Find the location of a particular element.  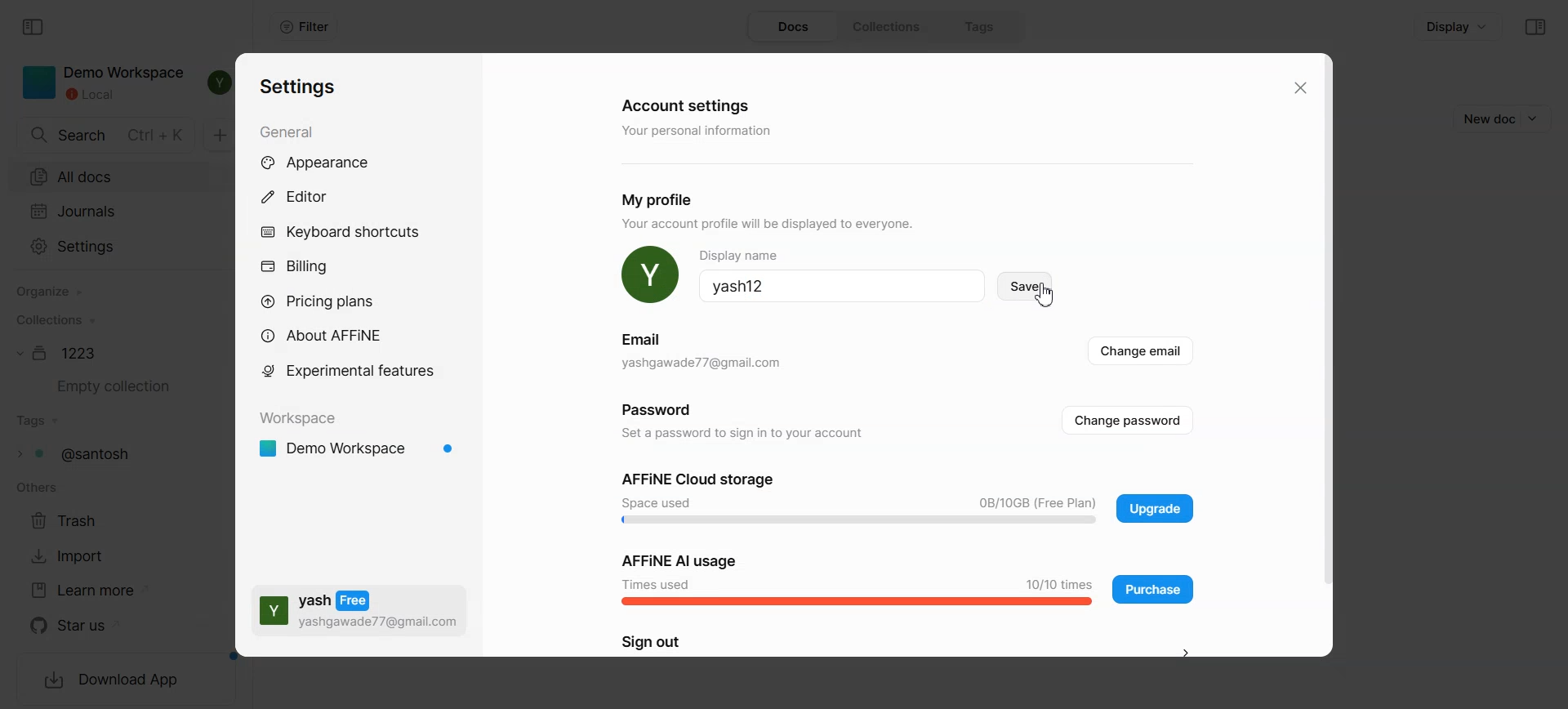

Docs is located at coordinates (795, 27).